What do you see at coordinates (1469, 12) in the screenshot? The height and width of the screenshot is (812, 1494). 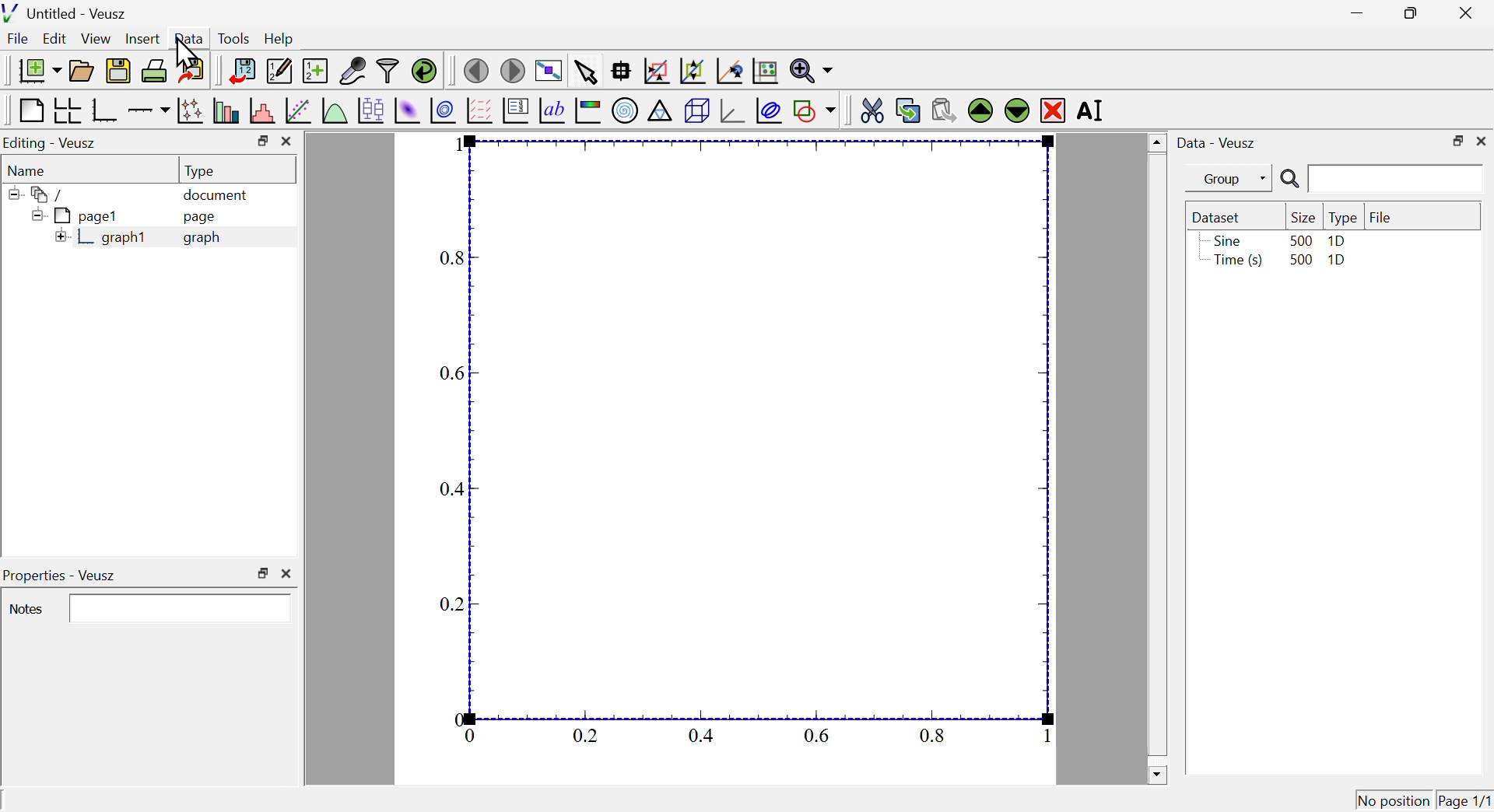 I see `close` at bounding box center [1469, 12].